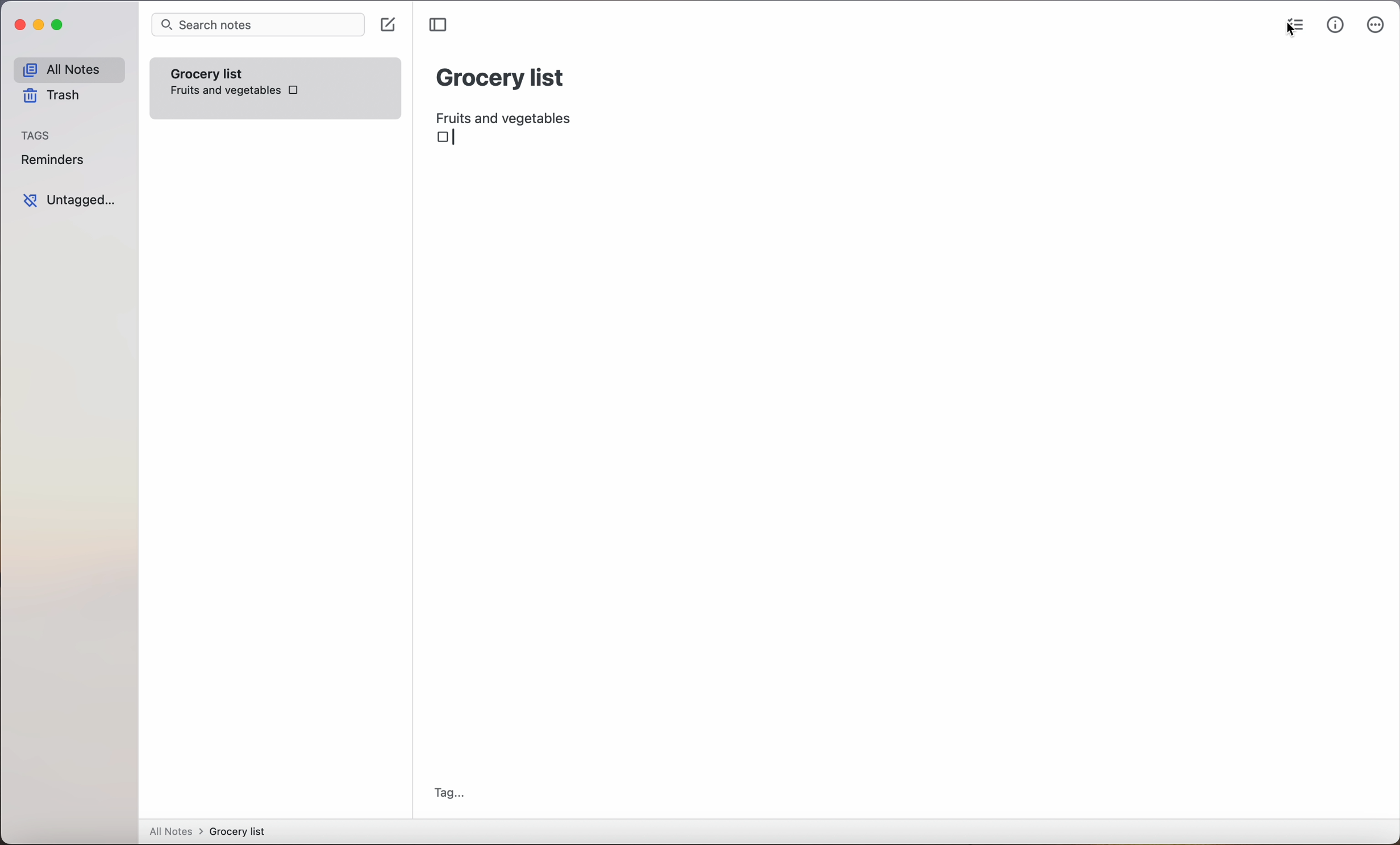 Image resolution: width=1400 pixels, height=845 pixels. Describe the element at coordinates (1376, 27) in the screenshot. I see `more options` at that location.